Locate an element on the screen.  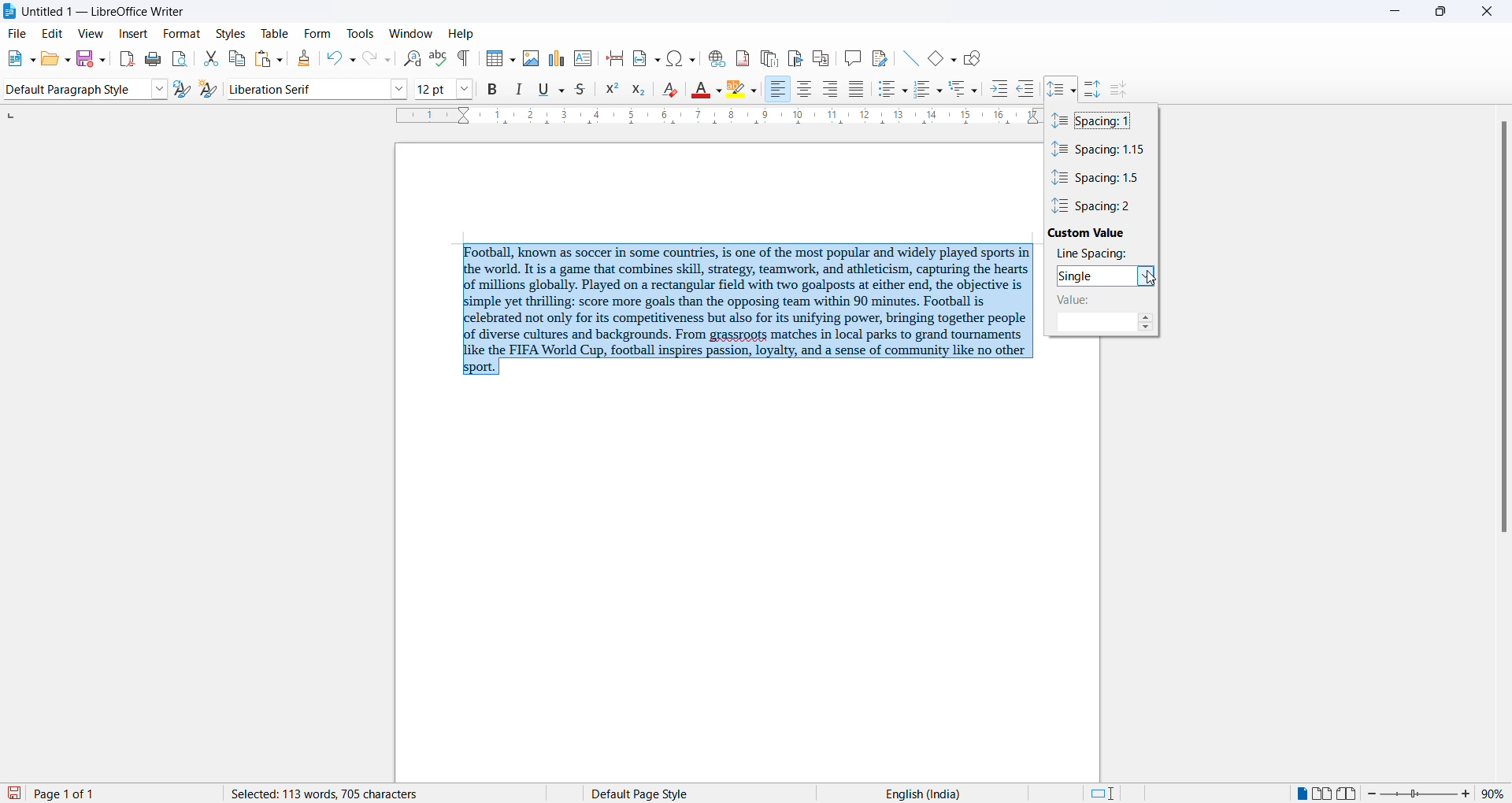
spacing value 1.1.5 is located at coordinates (1104, 150).